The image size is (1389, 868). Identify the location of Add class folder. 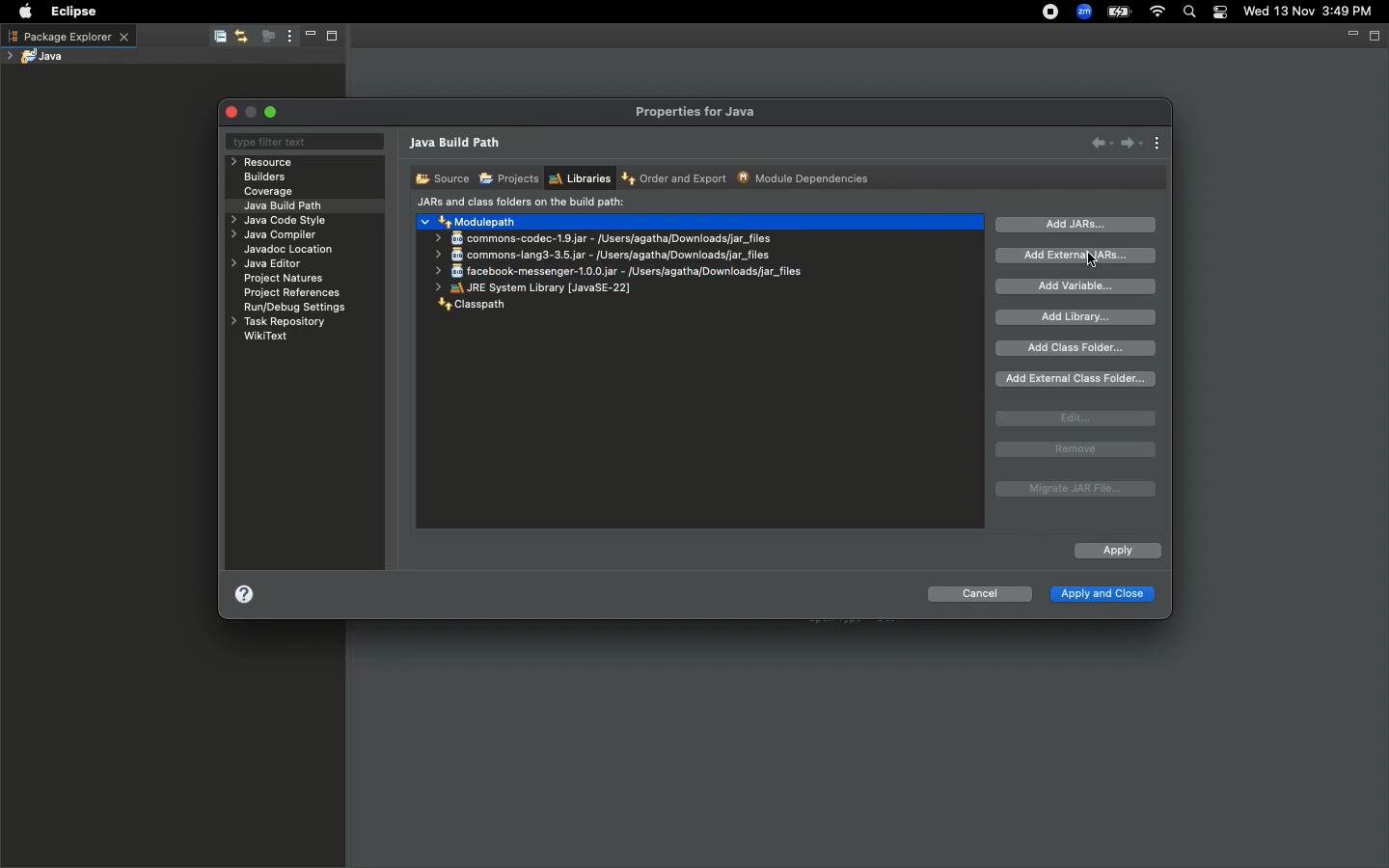
(1077, 348).